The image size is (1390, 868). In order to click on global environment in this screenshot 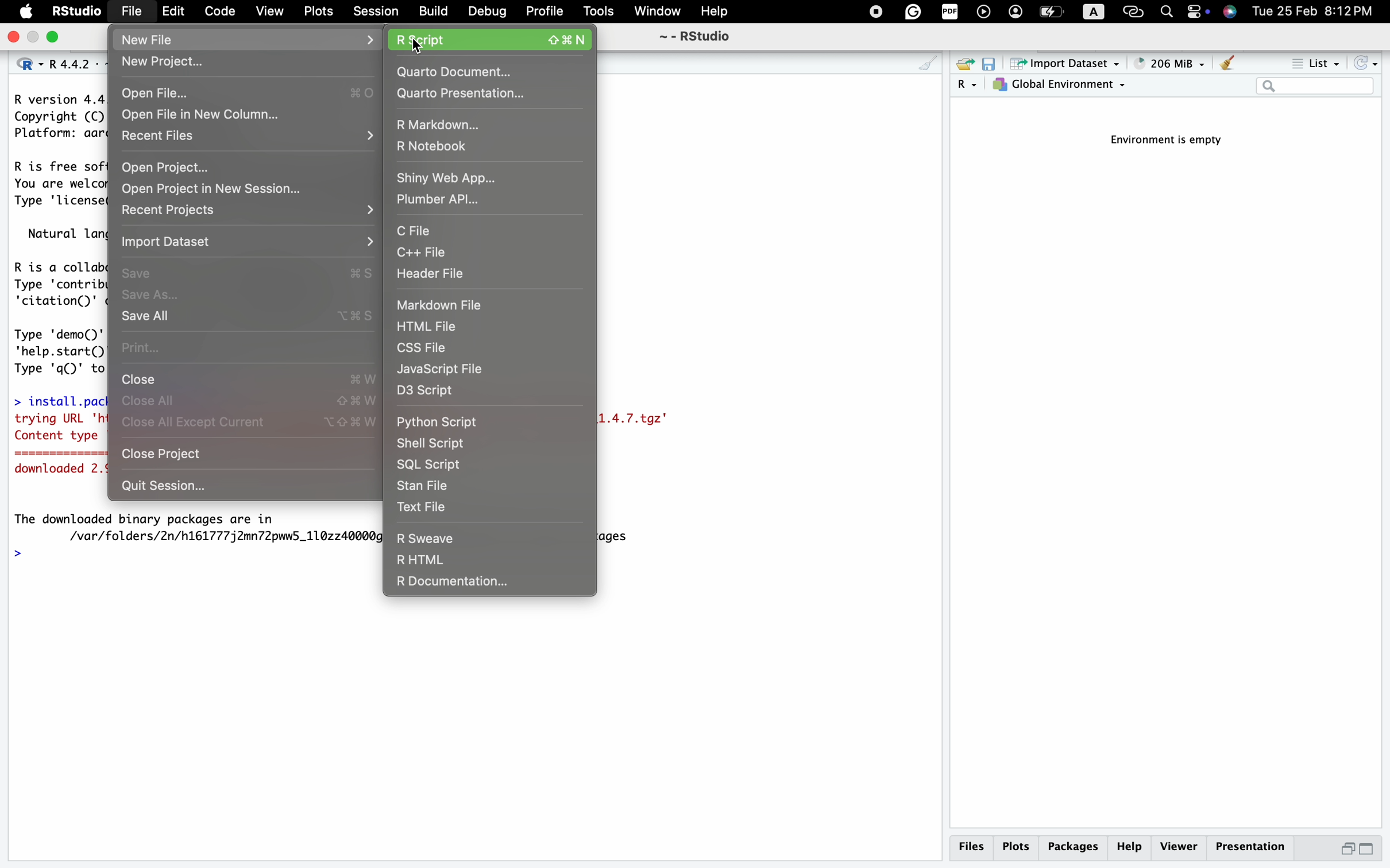, I will do `click(1062, 87)`.